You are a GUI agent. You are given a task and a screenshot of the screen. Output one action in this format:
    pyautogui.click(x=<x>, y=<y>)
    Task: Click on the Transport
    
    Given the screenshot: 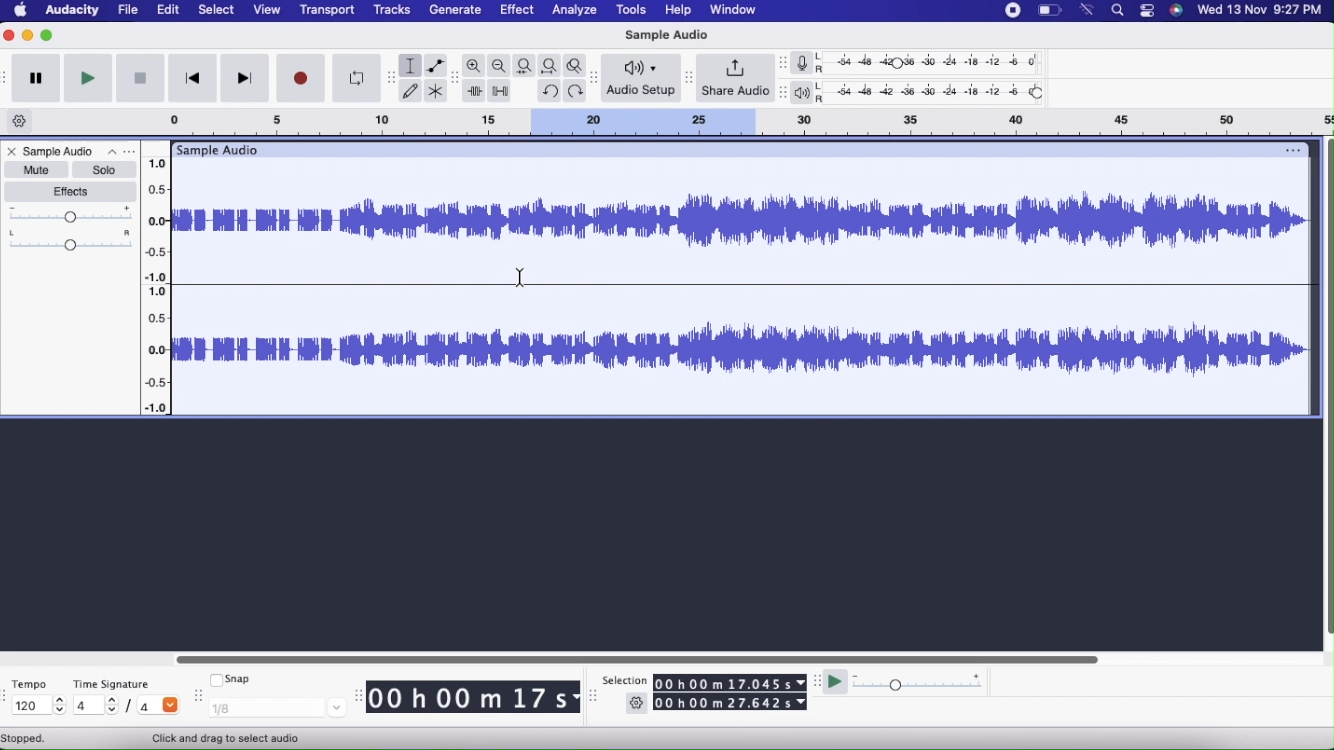 What is the action you would take?
    pyautogui.click(x=326, y=11)
    